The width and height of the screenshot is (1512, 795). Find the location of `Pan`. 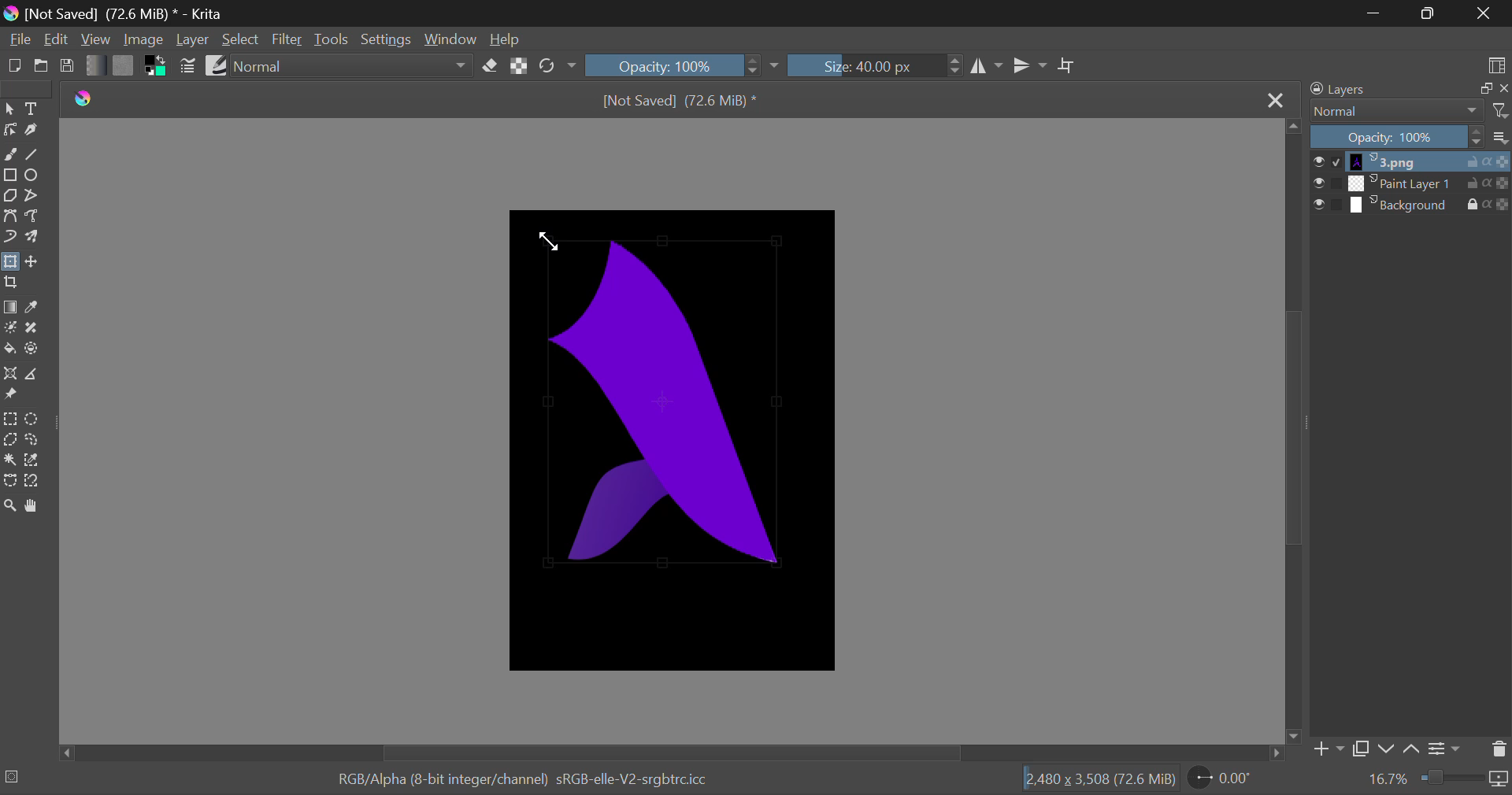

Pan is located at coordinates (36, 505).